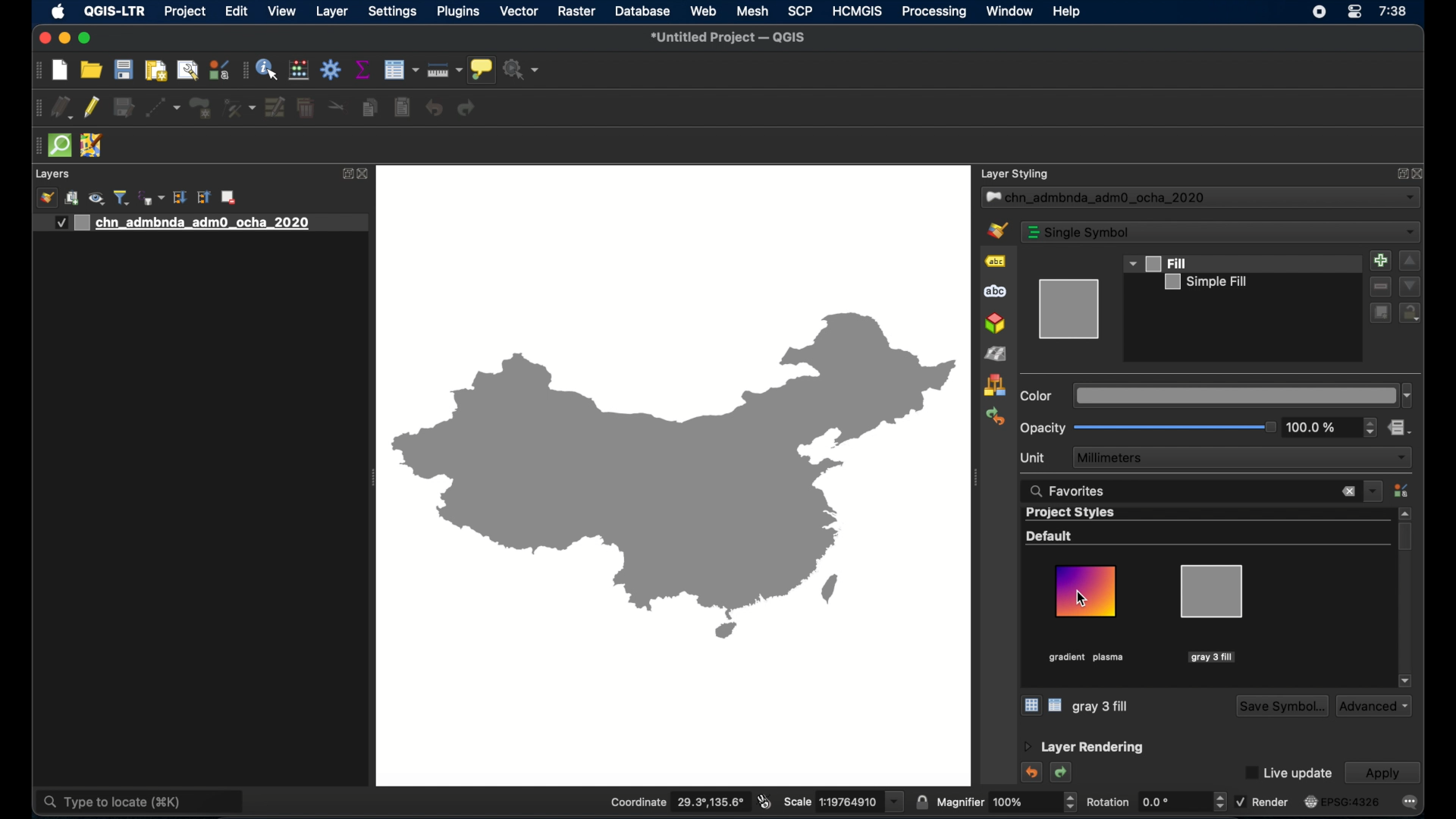 This screenshot has height=819, width=1456. What do you see at coordinates (642, 11) in the screenshot?
I see `database` at bounding box center [642, 11].